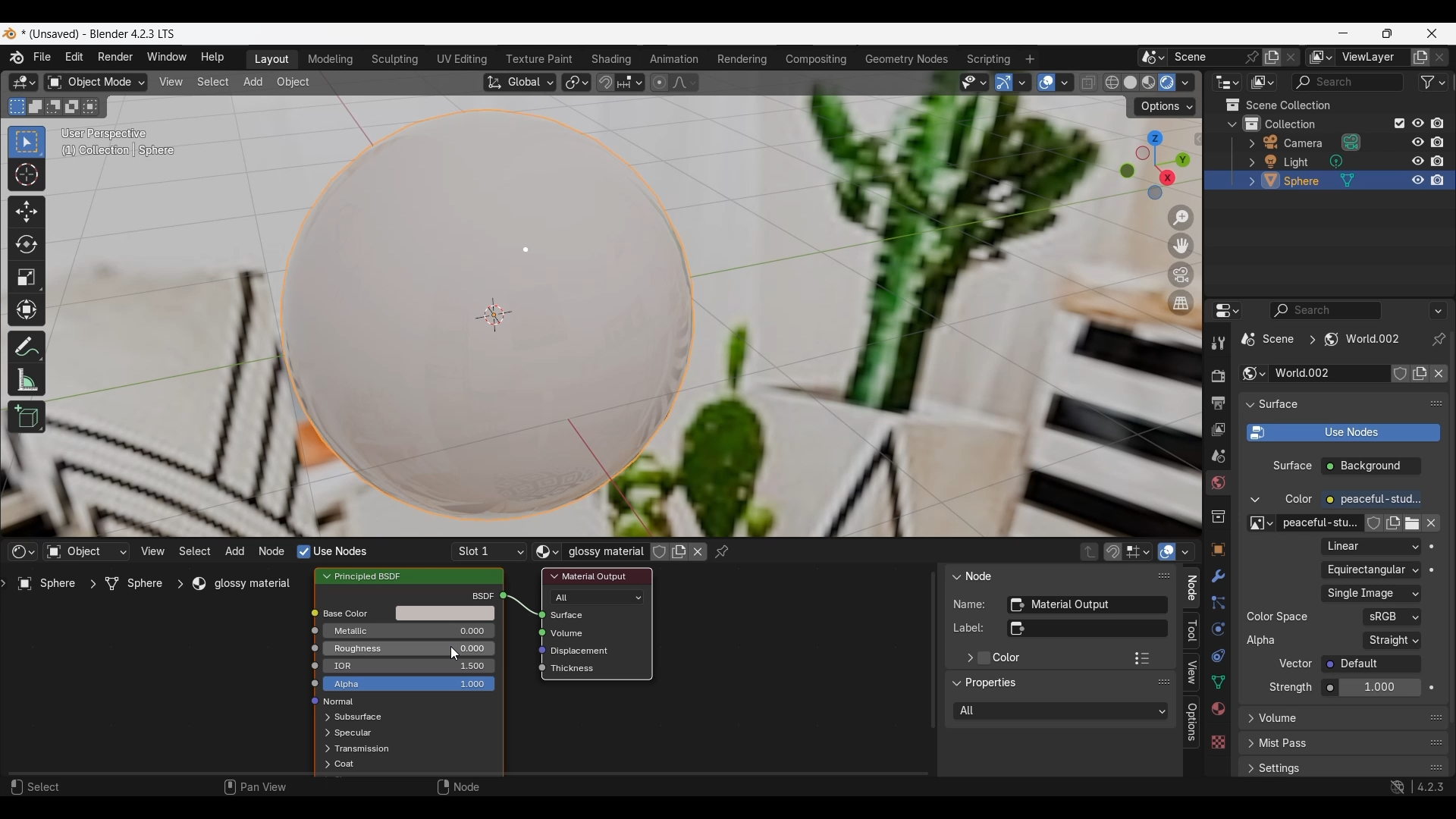 This screenshot has width=1456, height=819. What do you see at coordinates (255, 786) in the screenshot?
I see `Pan view` at bounding box center [255, 786].